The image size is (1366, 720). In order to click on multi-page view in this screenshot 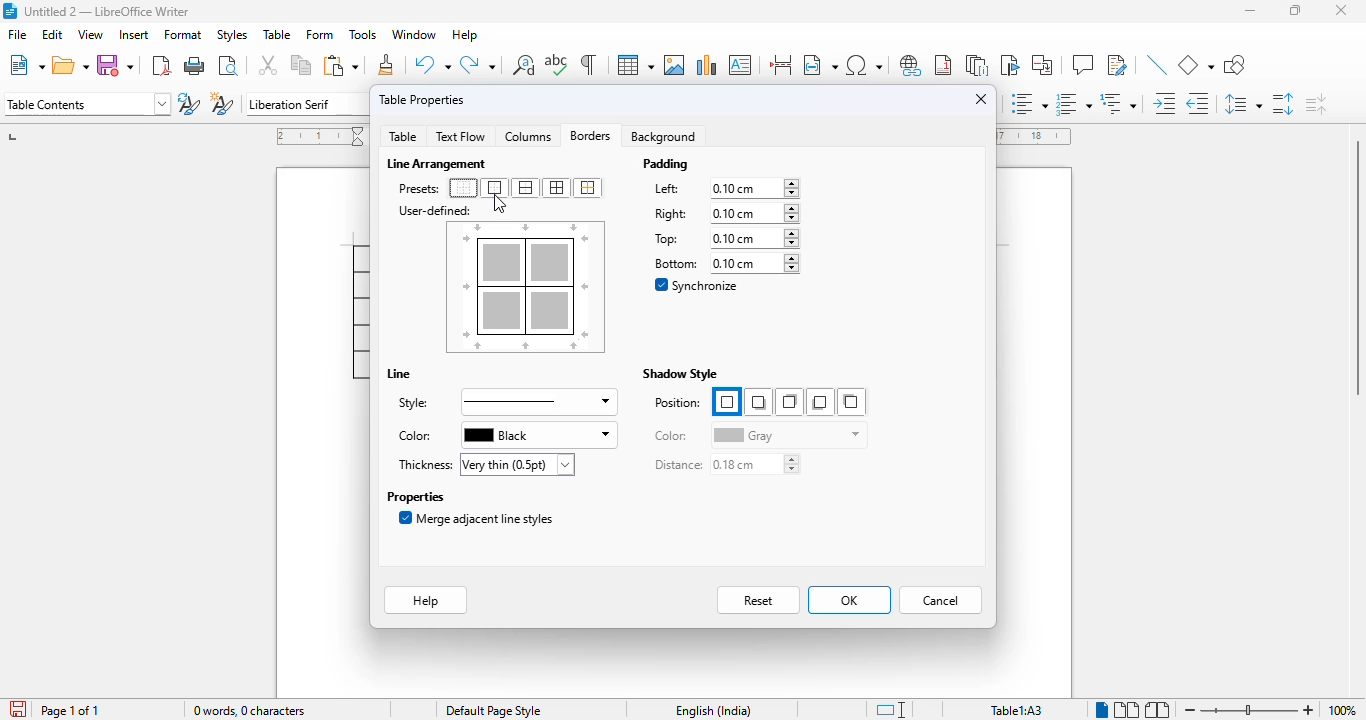, I will do `click(1127, 709)`.